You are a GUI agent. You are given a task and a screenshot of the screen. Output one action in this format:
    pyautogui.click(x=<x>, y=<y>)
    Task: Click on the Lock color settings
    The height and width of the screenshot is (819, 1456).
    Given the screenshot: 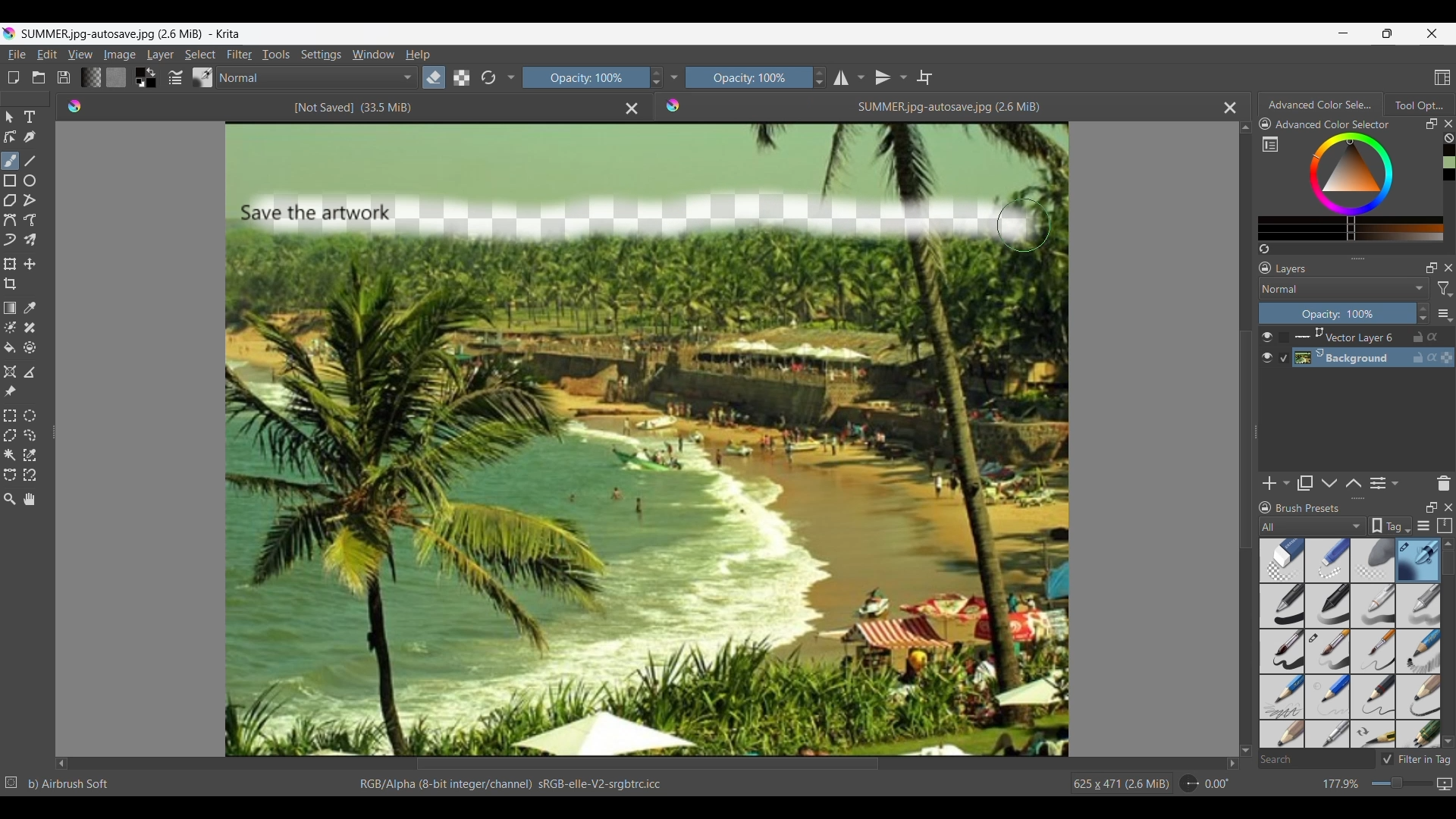 What is the action you would take?
    pyautogui.click(x=1266, y=124)
    